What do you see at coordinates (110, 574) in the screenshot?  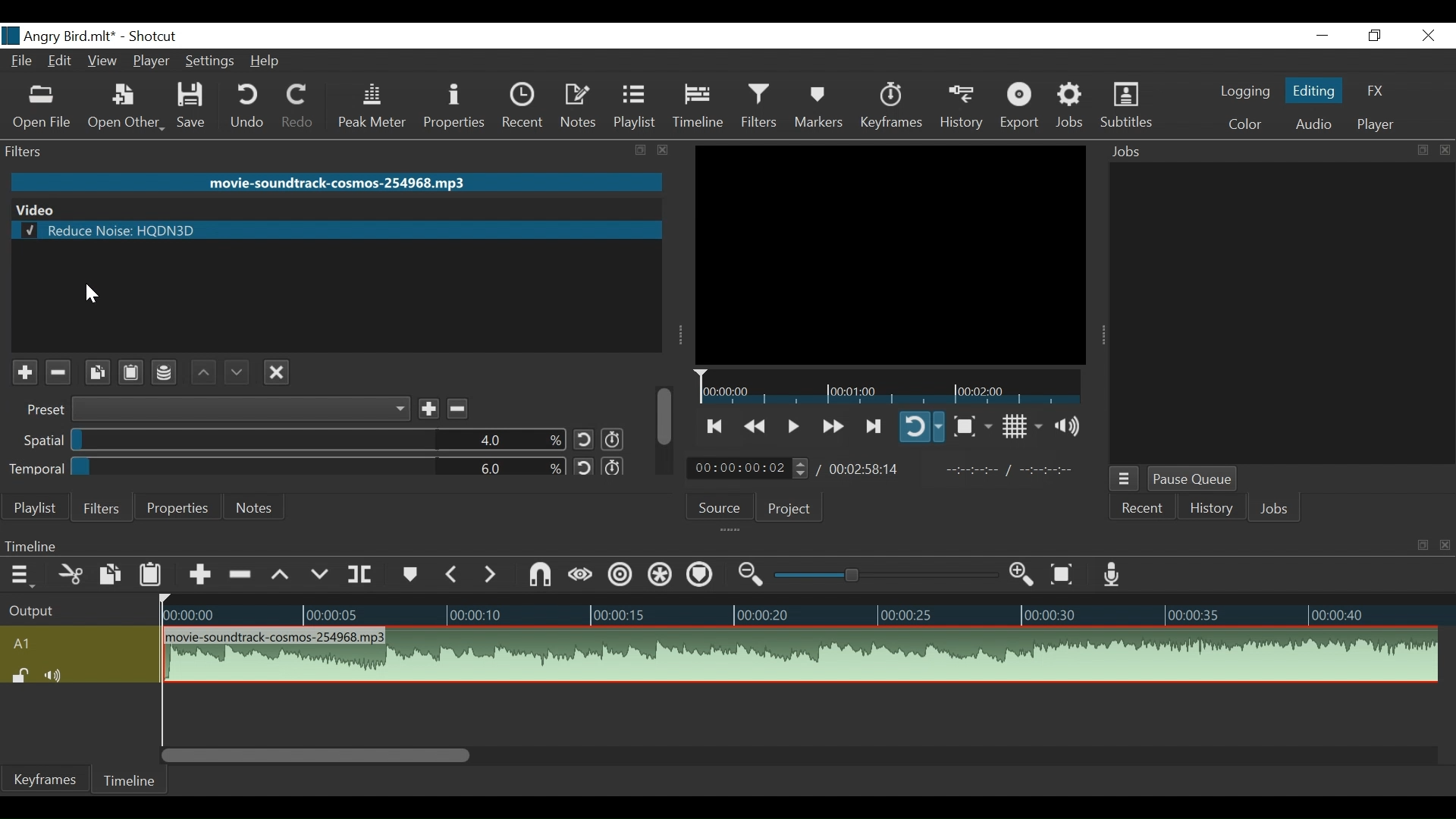 I see `Copy` at bounding box center [110, 574].